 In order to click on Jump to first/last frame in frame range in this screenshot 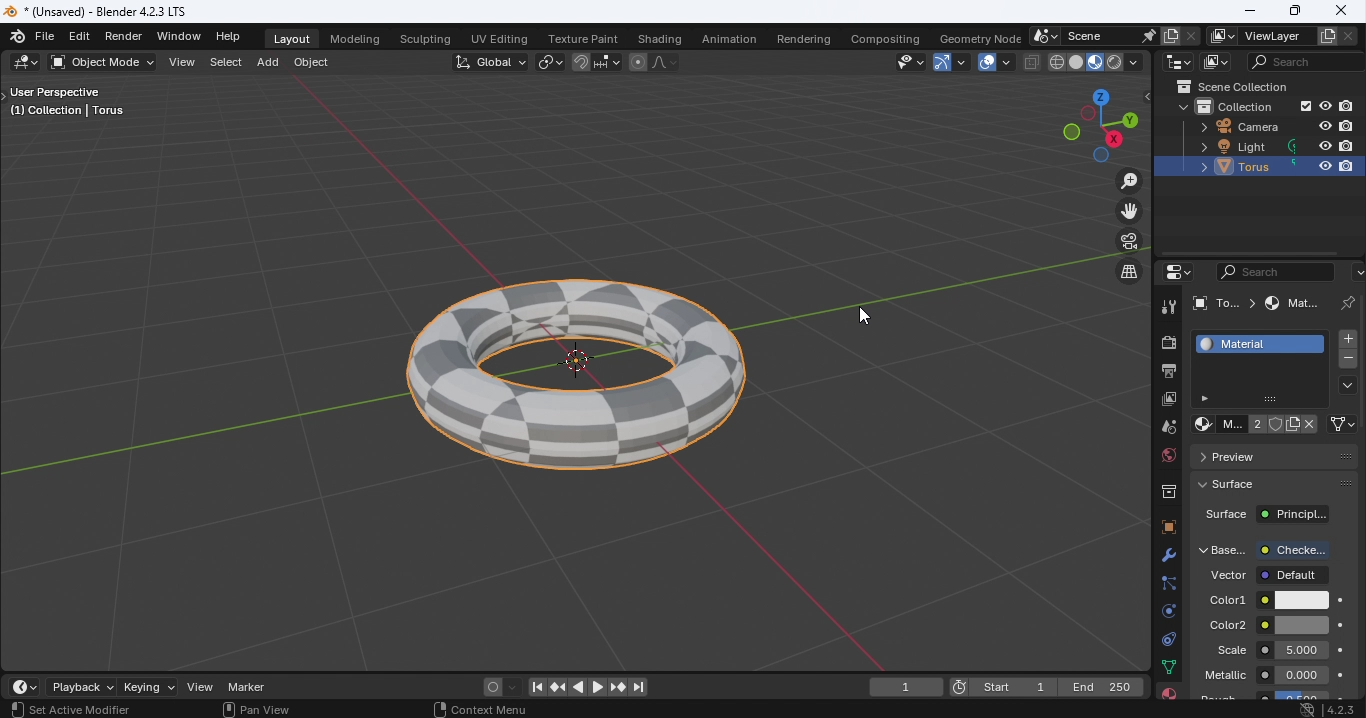, I will do `click(641, 687)`.